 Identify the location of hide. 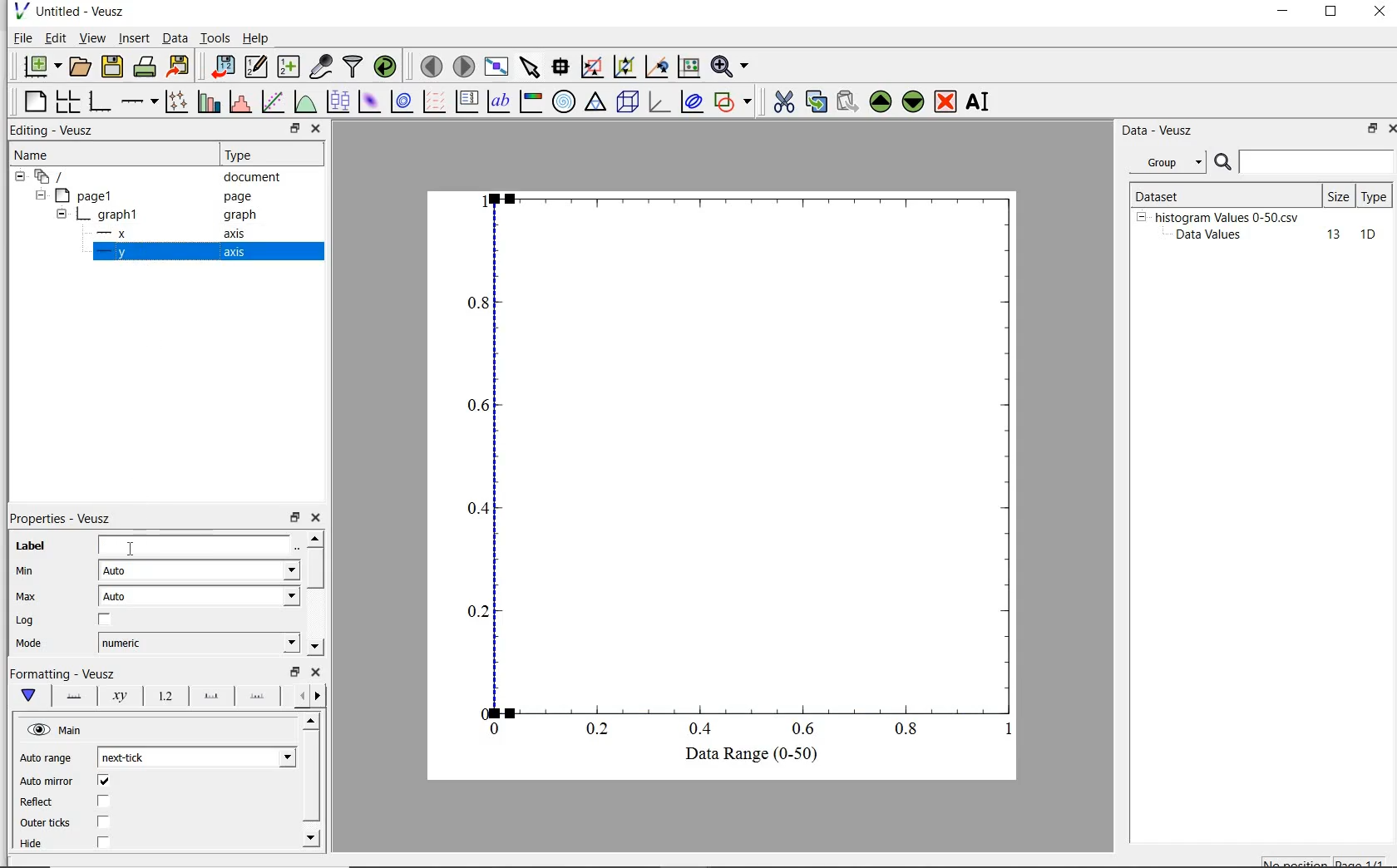
(20, 177).